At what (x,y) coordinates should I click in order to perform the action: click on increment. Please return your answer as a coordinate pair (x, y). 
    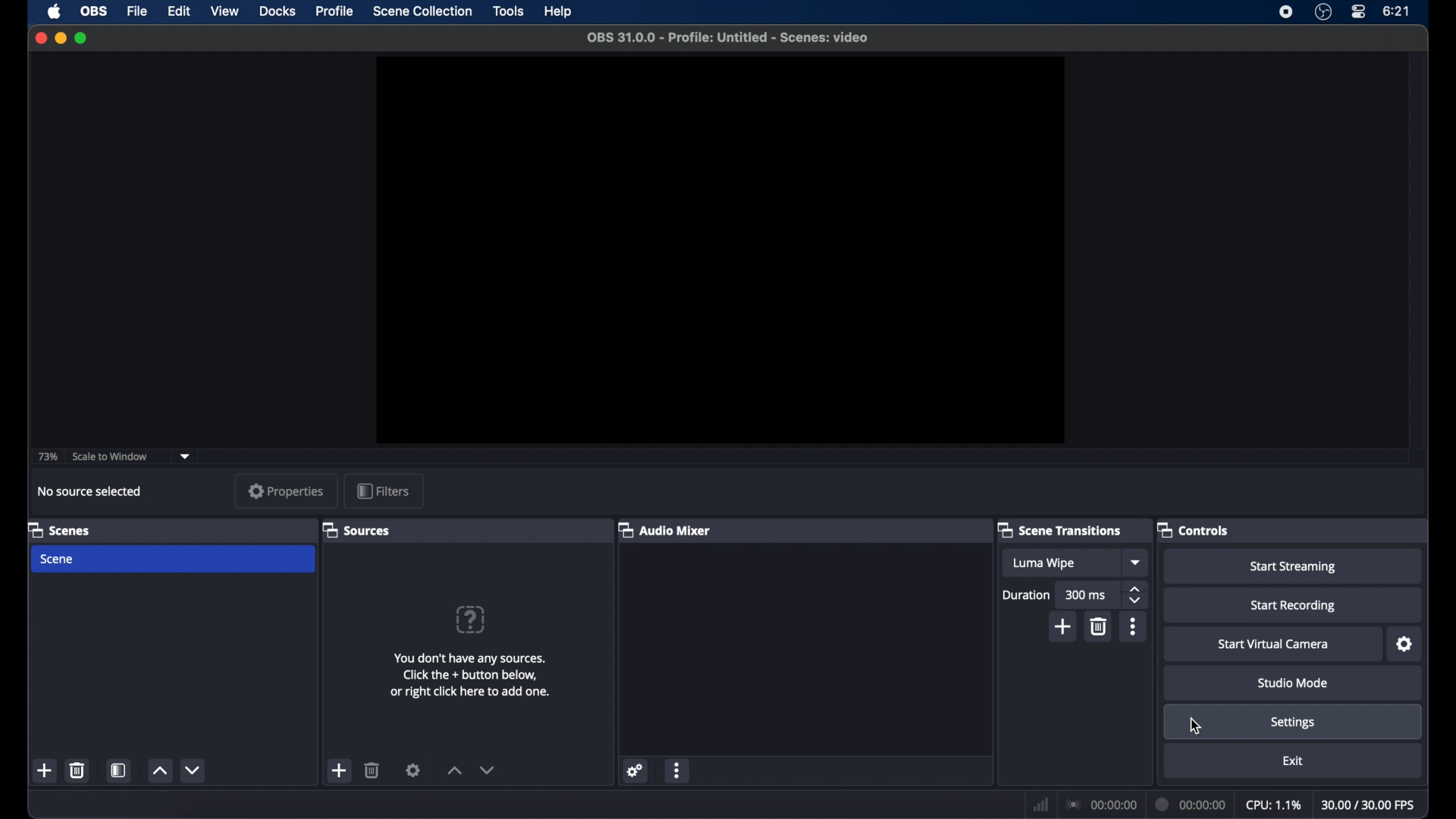
    Looking at the image, I should click on (454, 770).